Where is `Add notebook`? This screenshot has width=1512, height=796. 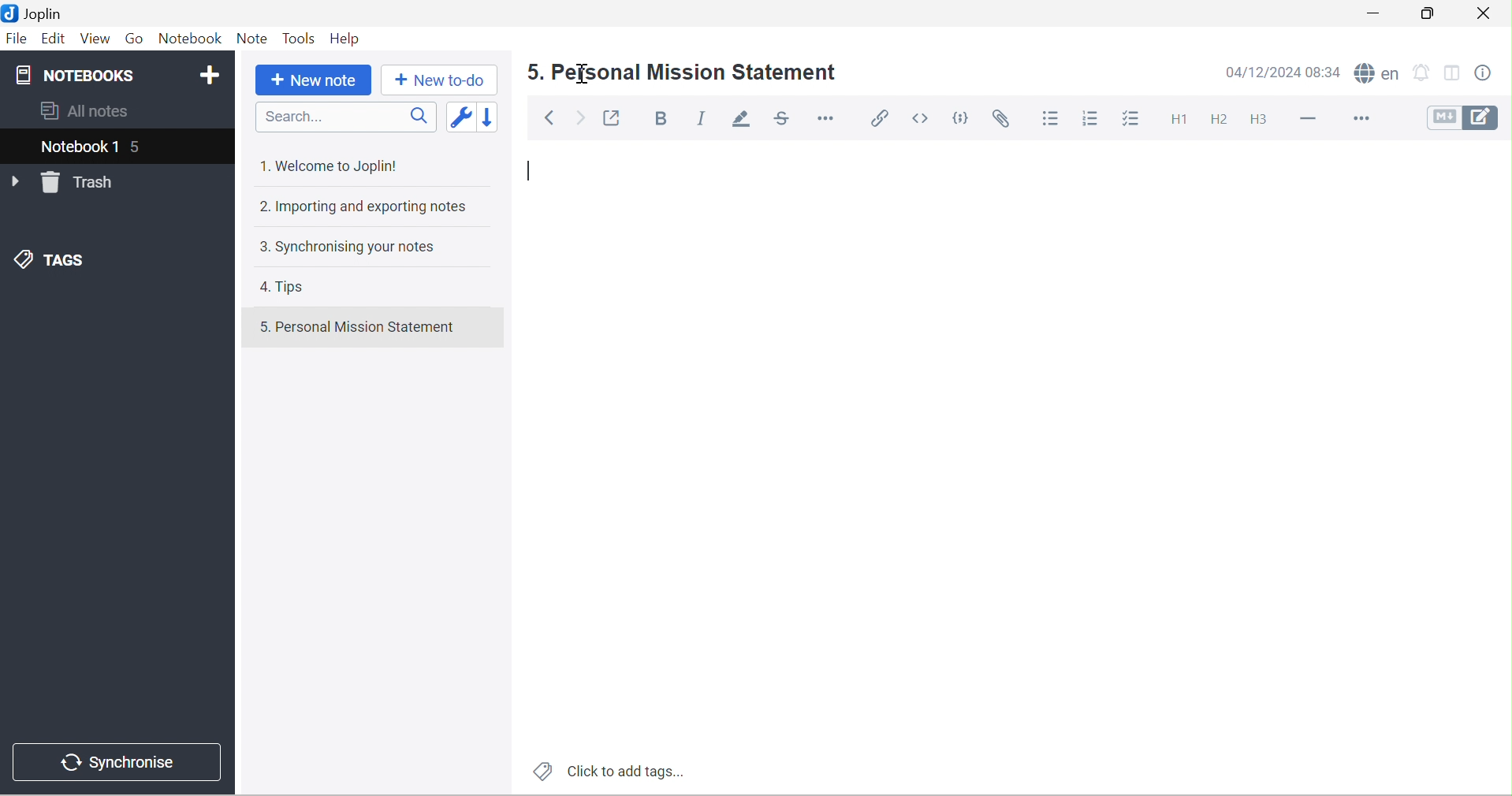 Add notebook is located at coordinates (210, 76).